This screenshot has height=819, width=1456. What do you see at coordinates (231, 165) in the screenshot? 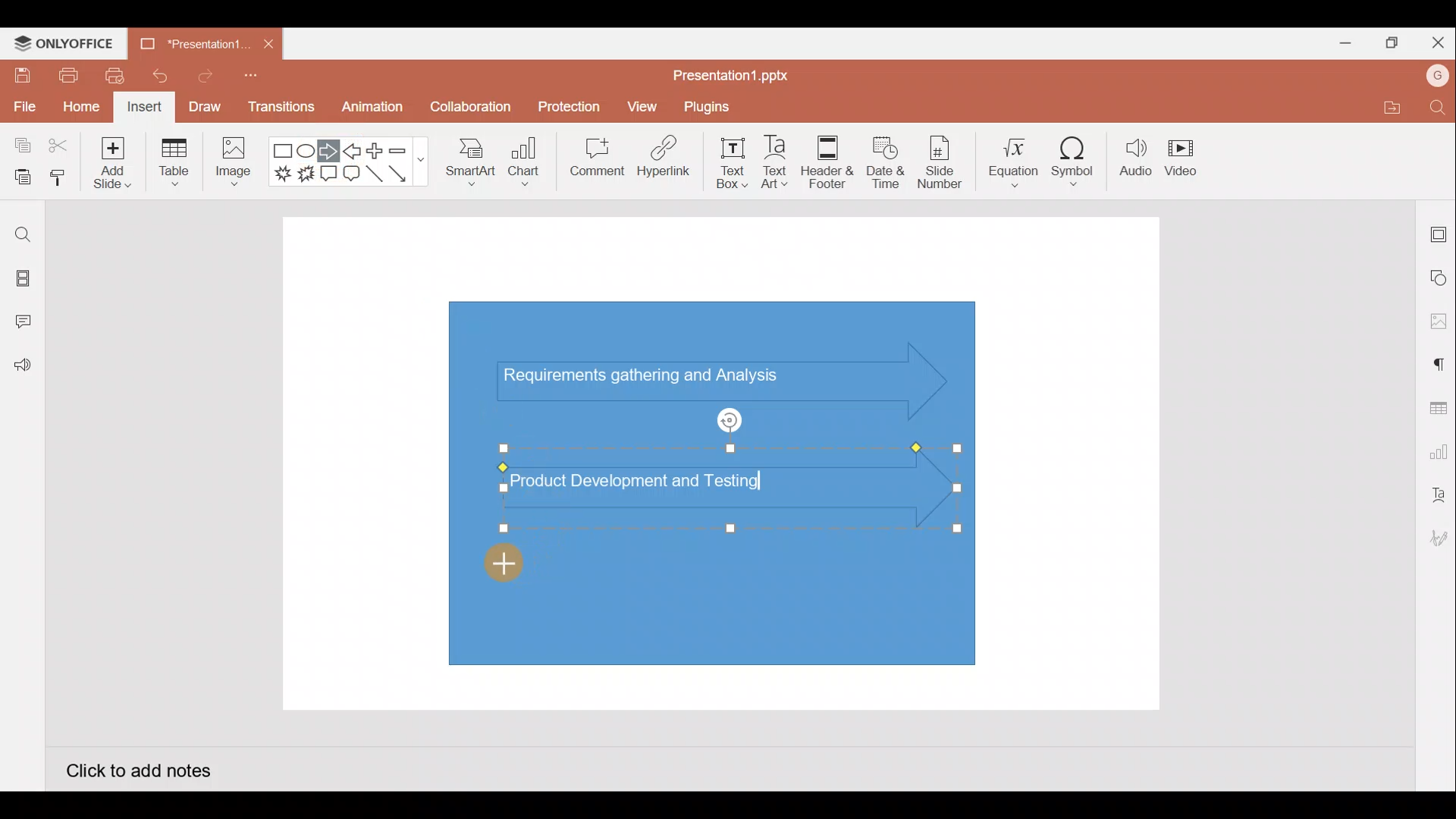
I see `Image` at bounding box center [231, 165].